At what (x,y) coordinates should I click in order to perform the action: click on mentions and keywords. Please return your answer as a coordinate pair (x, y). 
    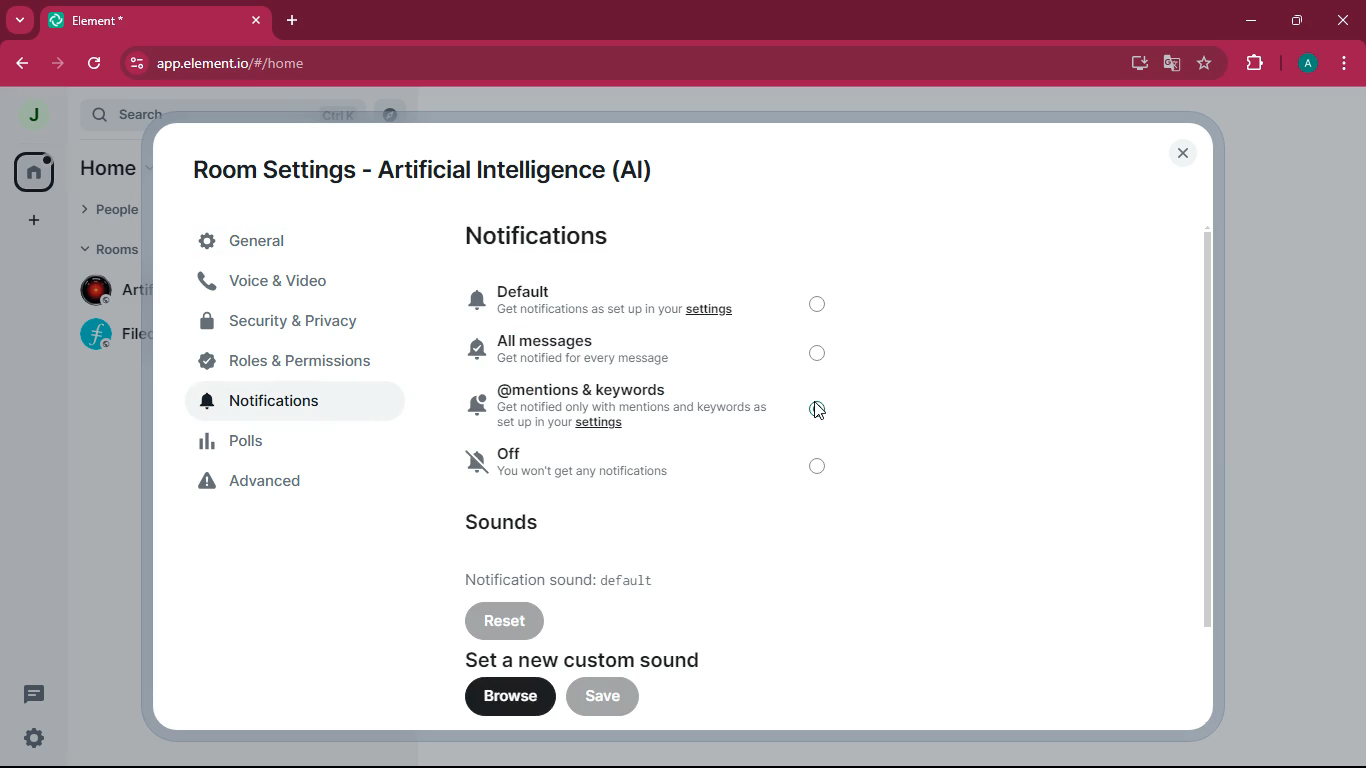
    Looking at the image, I should click on (621, 404).